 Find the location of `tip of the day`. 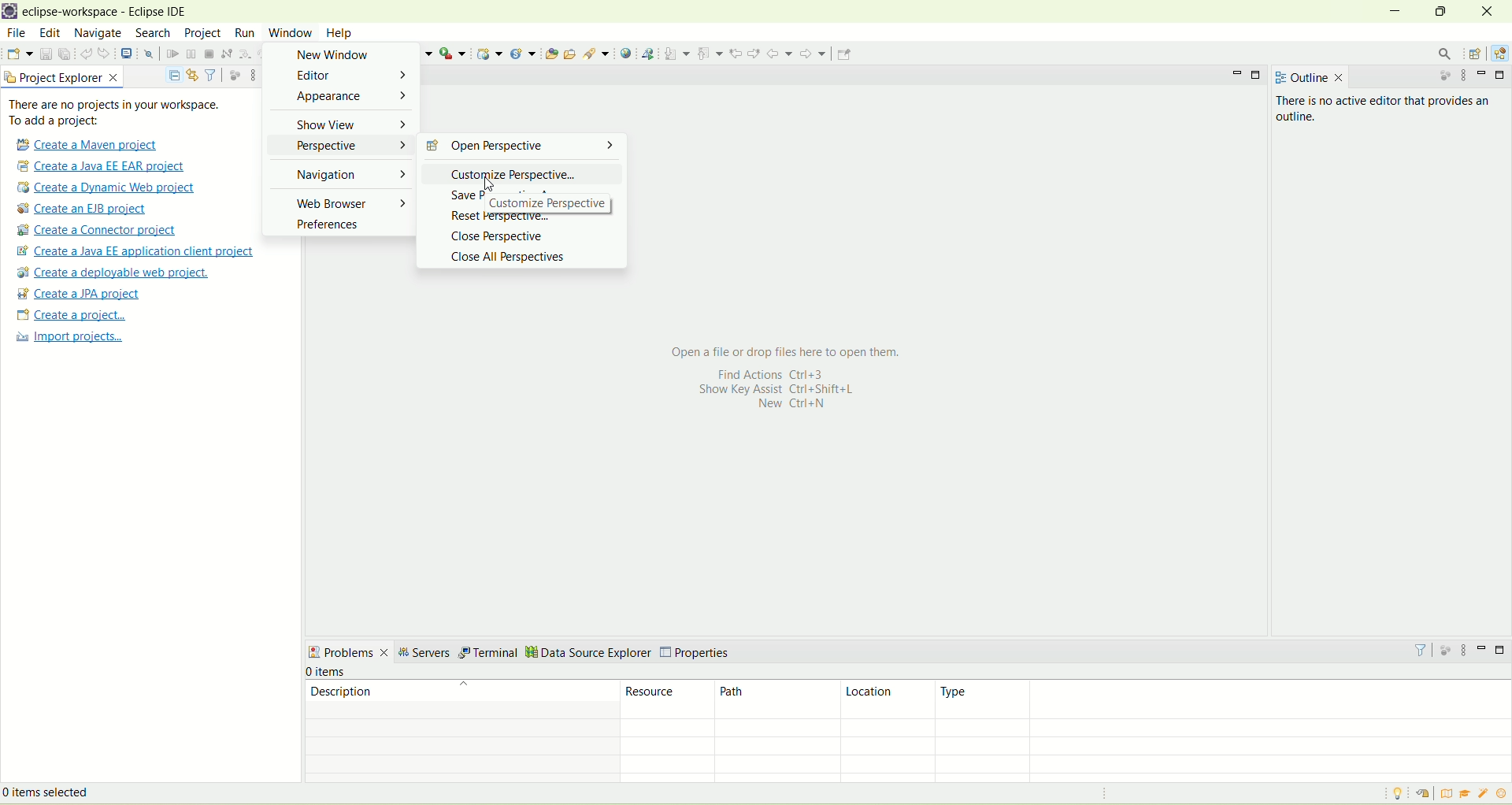

tip of the day is located at coordinates (1395, 794).